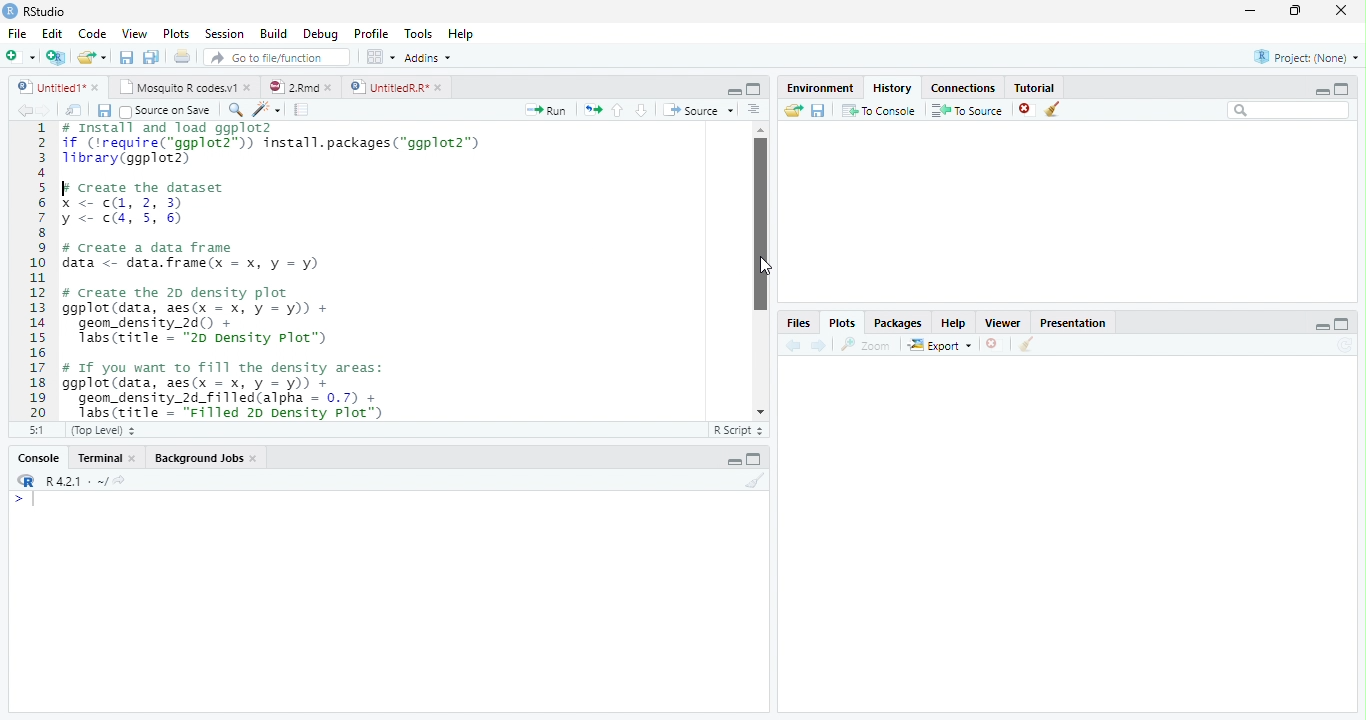  I want to click on Files,, so click(795, 323).